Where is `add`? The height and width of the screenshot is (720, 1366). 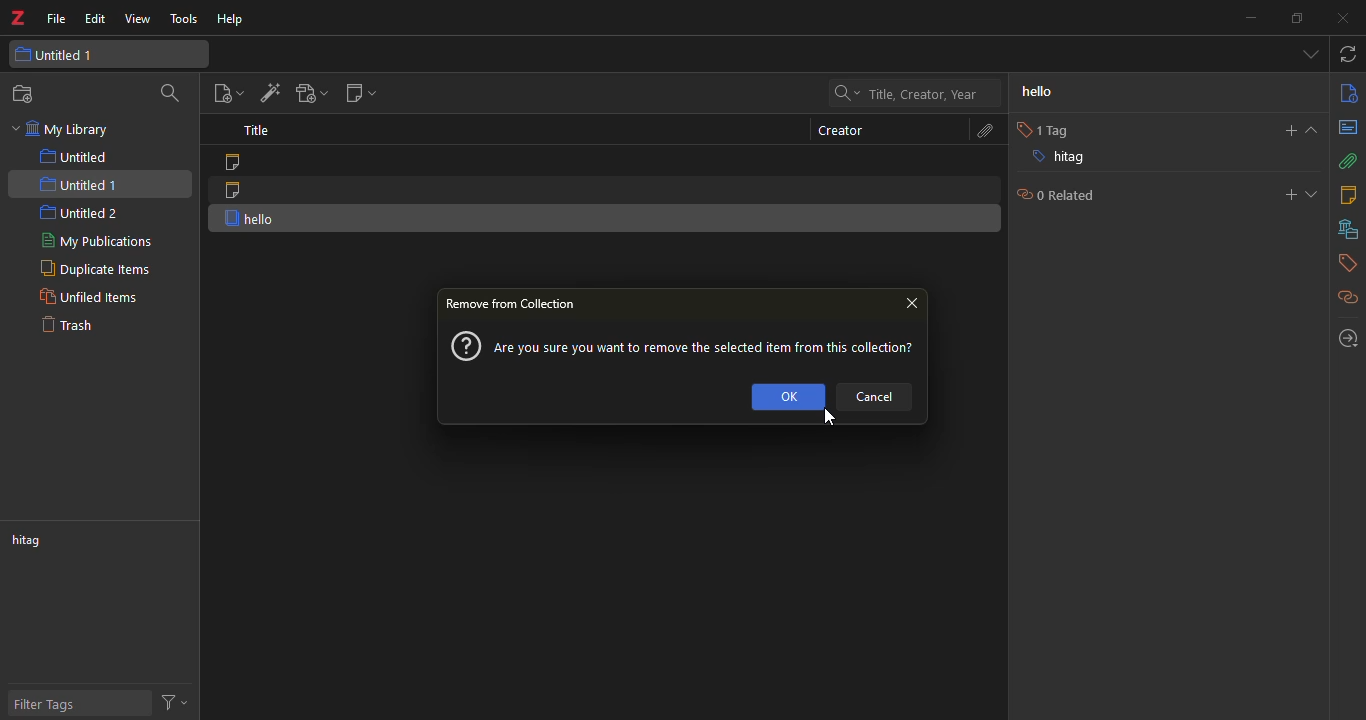
add is located at coordinates (1284, 131).